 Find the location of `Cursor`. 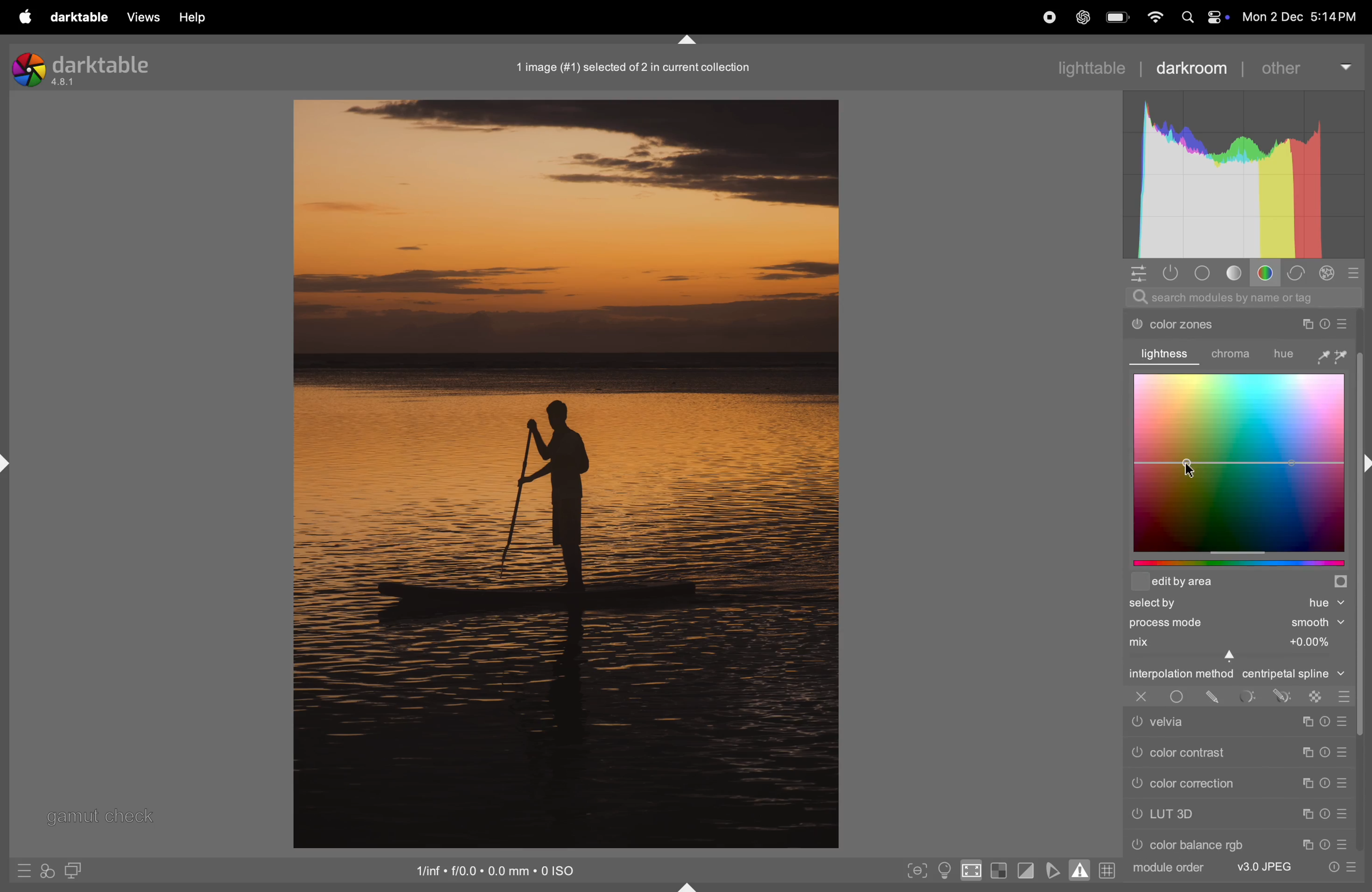

Cursor is located at coordinates (1189, 467).